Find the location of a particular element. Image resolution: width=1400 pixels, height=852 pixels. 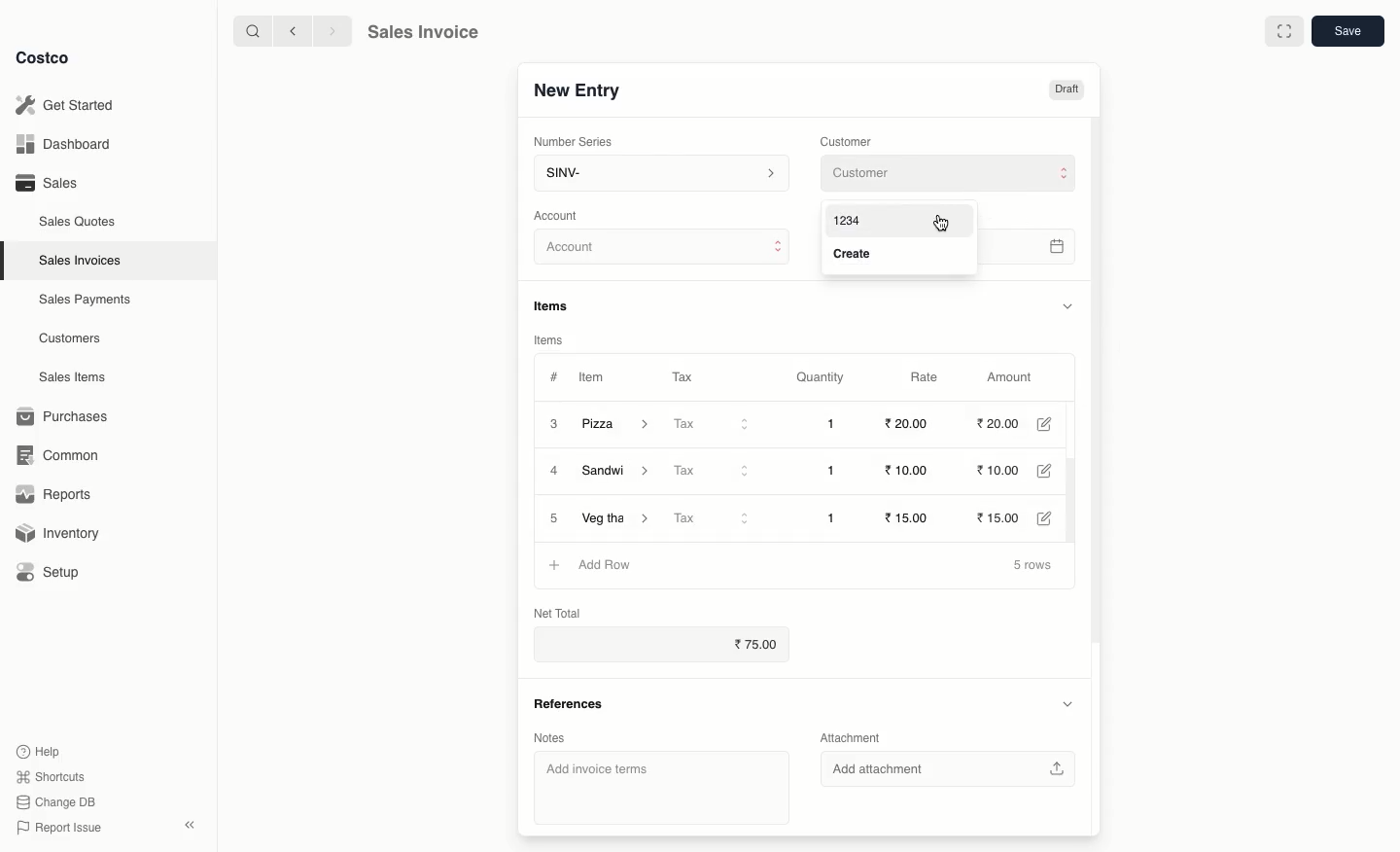

Edit is located at coordinates (1056, 472).